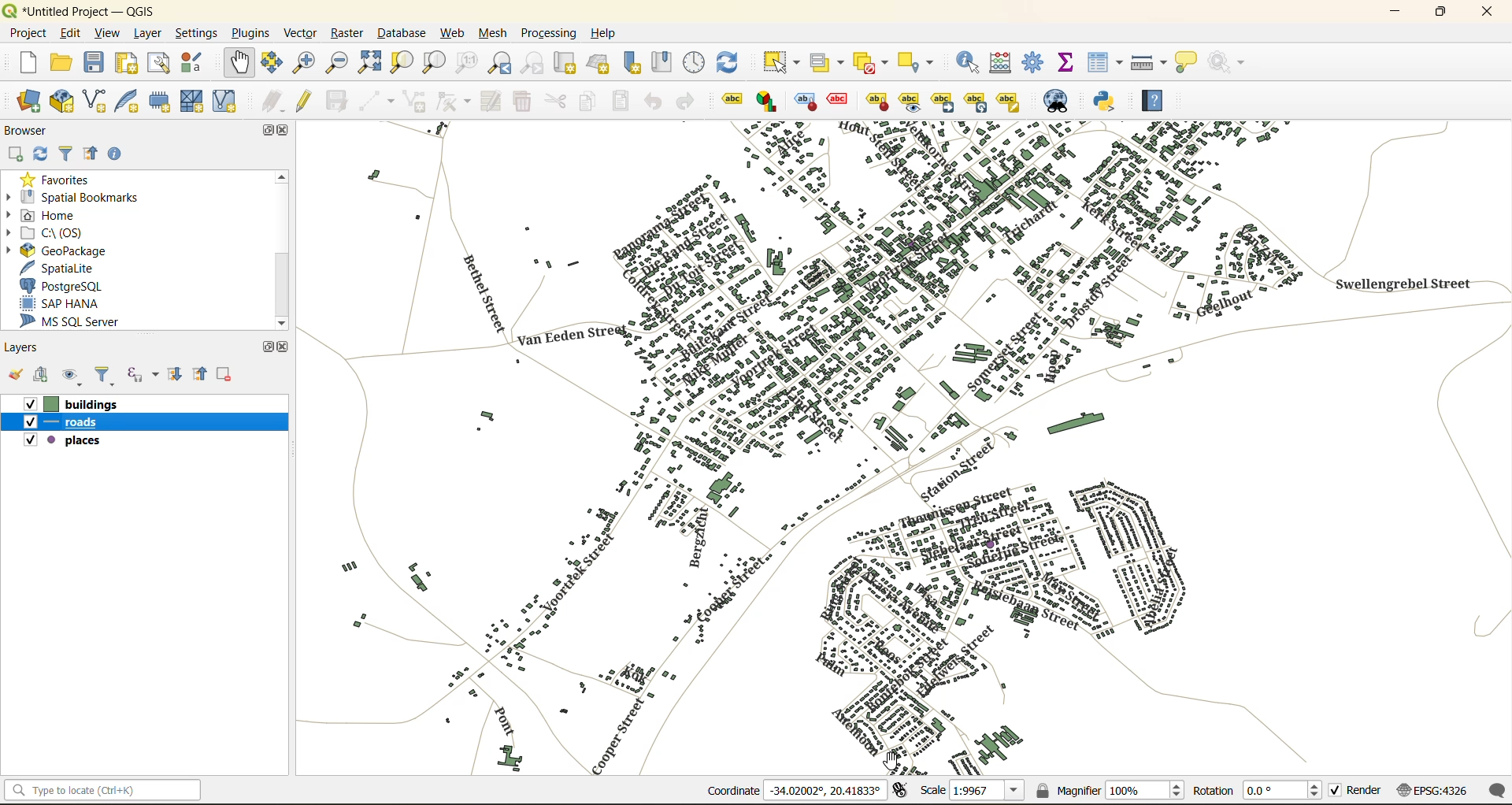  What do you see at coordinates (828, 61) in the screenshot?
I see `select value` at bounding box center [828, 61].